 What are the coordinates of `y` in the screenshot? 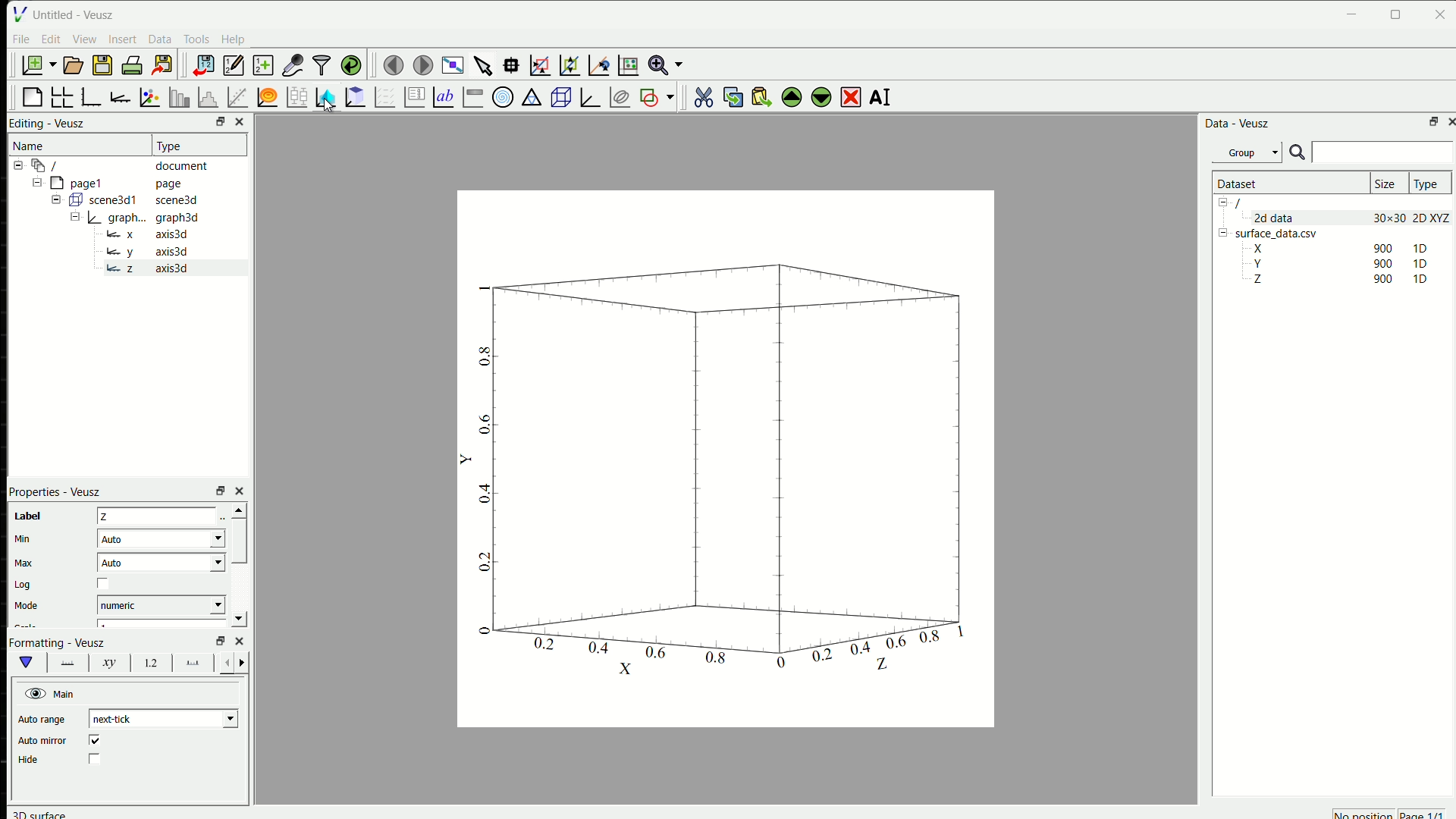 It's located at (121, 252).